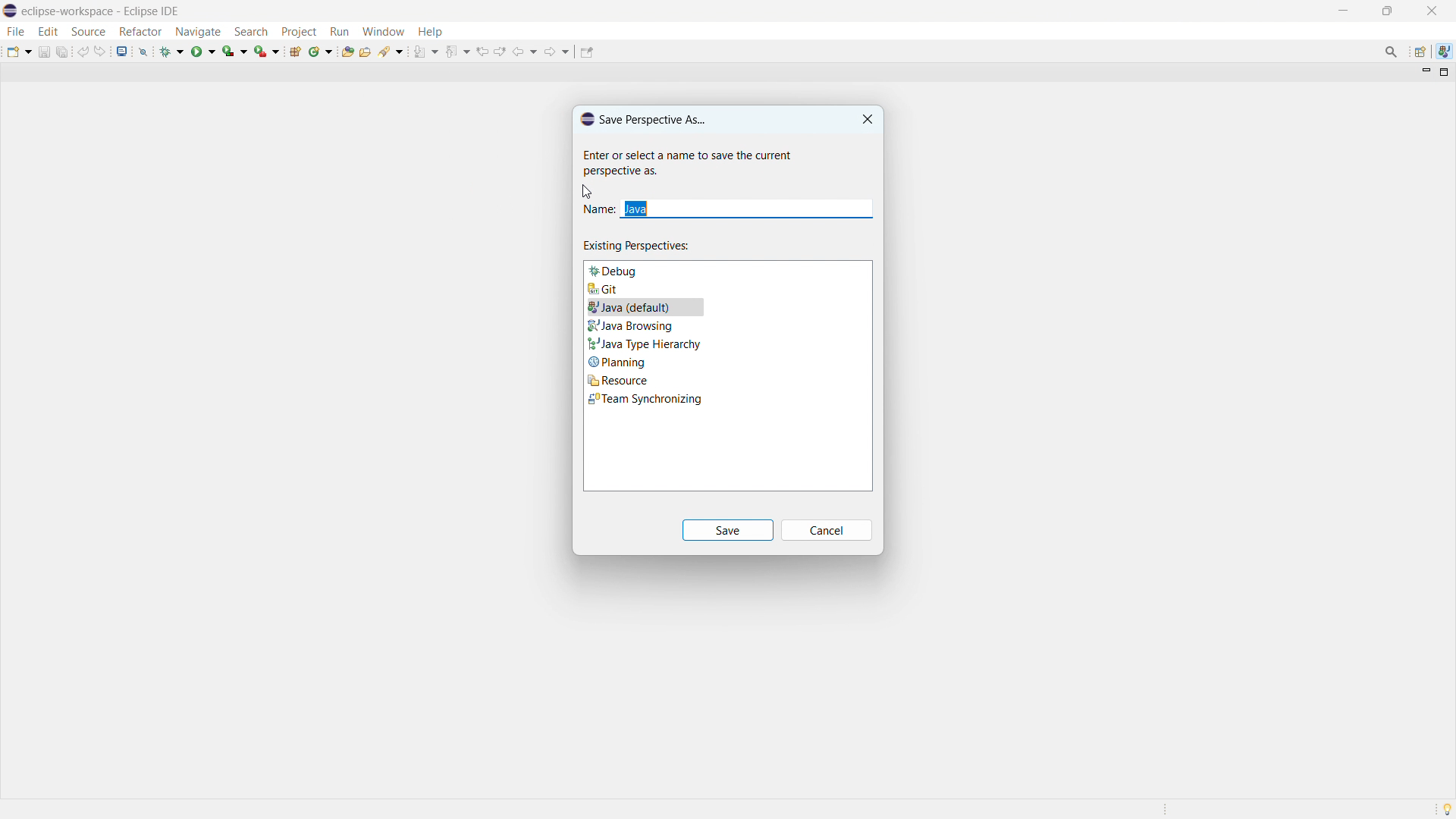 The width and height of the screenshot is (1456, 819). Describe the element at coordinates (431, 32) in the screenshot. I see `help` at that location.